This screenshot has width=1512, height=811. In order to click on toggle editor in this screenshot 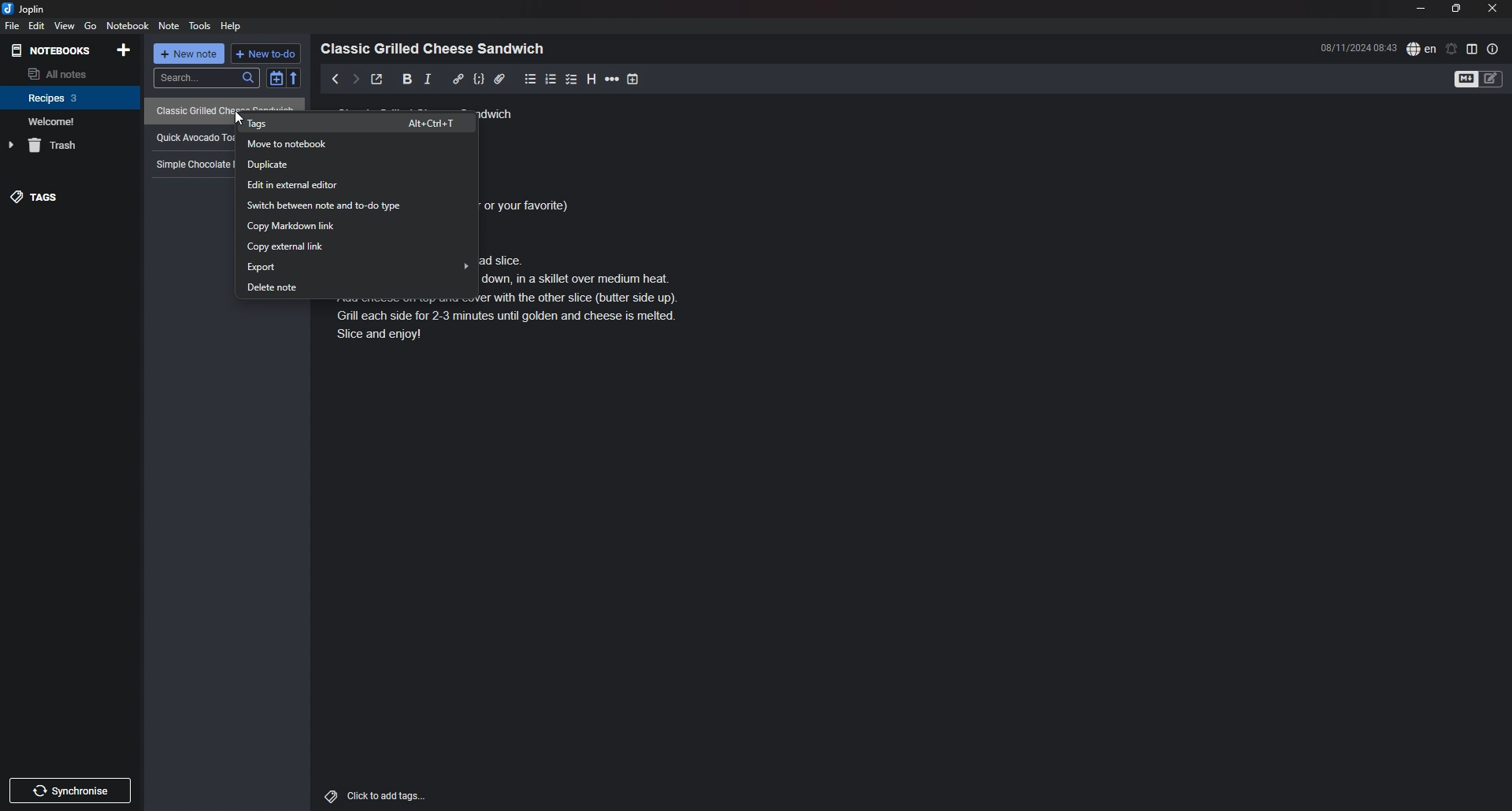, I will do `click(1479, 80)`.